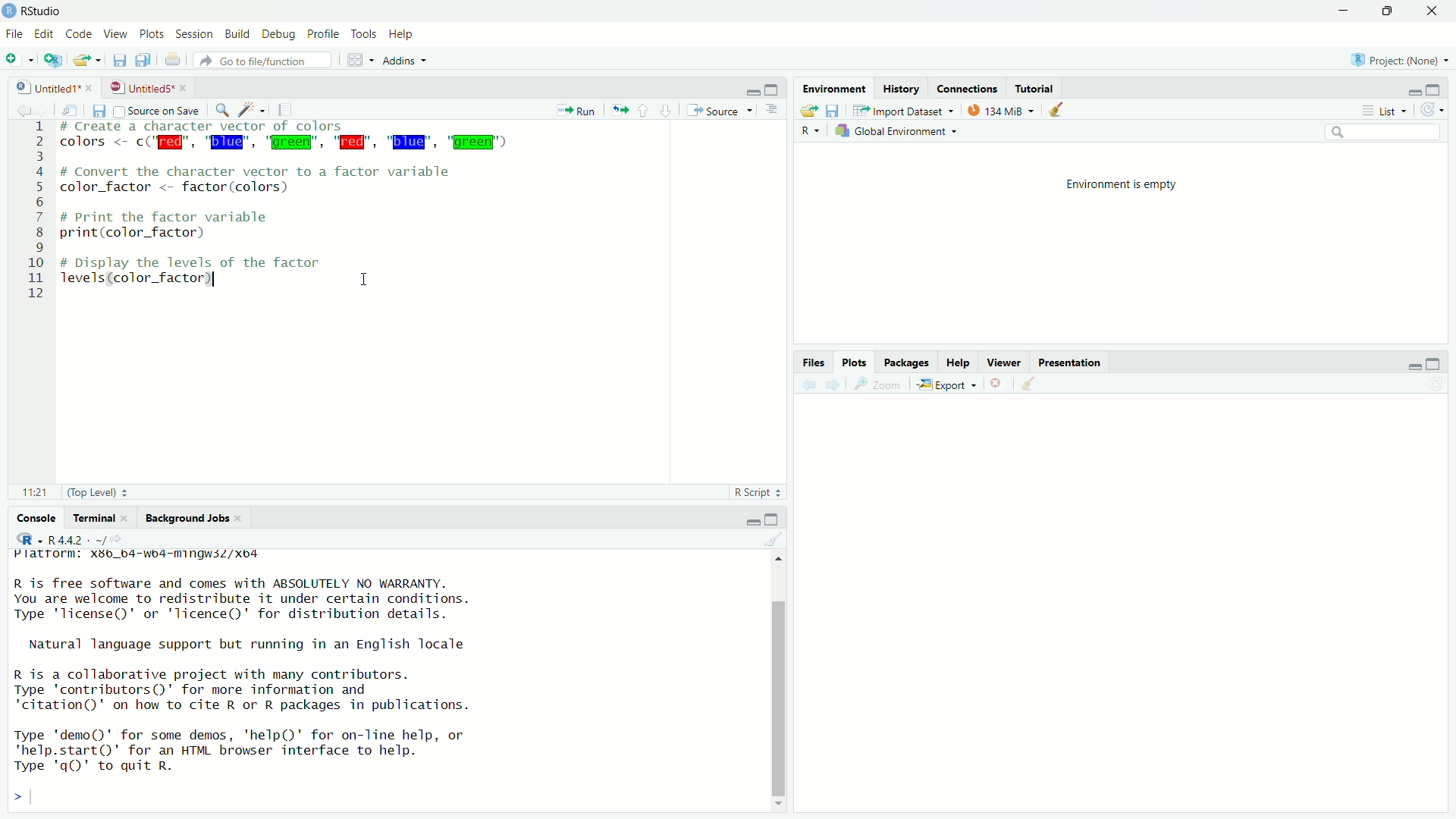 The width and height of the screenshot is (1456, 819). I want to click on Natural language support but running in an English locale, so click(256, 644).